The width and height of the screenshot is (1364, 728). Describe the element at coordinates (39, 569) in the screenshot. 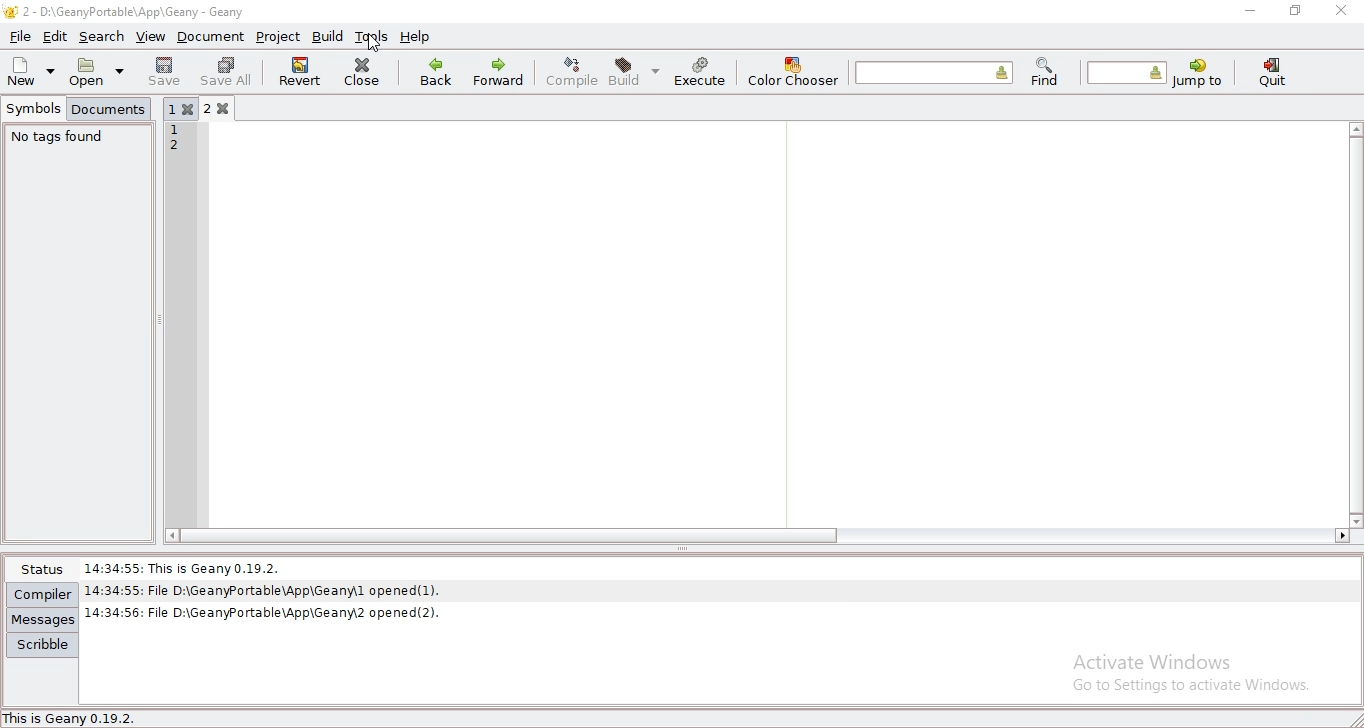

I see `status` at that location.